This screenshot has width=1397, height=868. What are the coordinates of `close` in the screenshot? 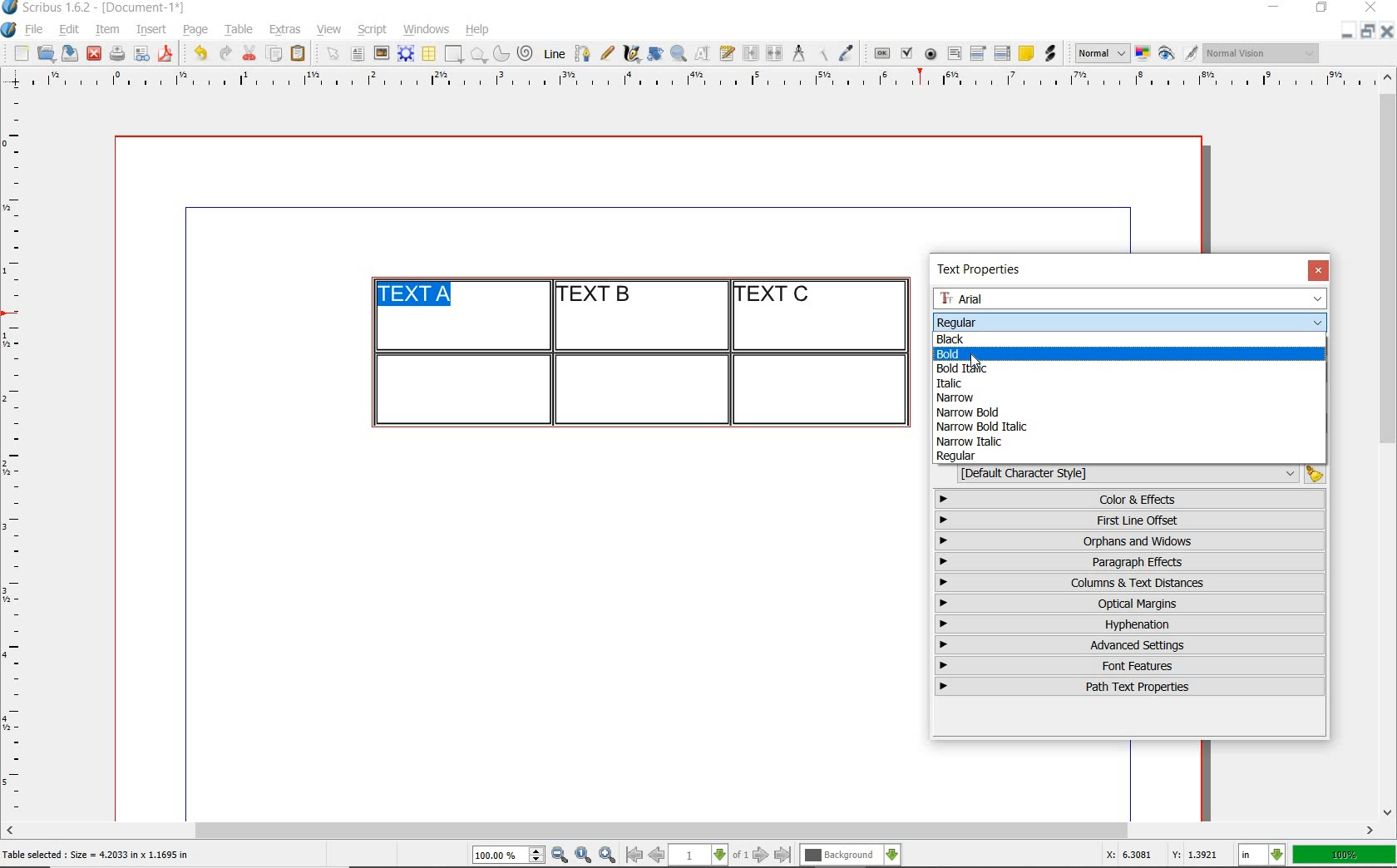 It's located at (1318, 270).